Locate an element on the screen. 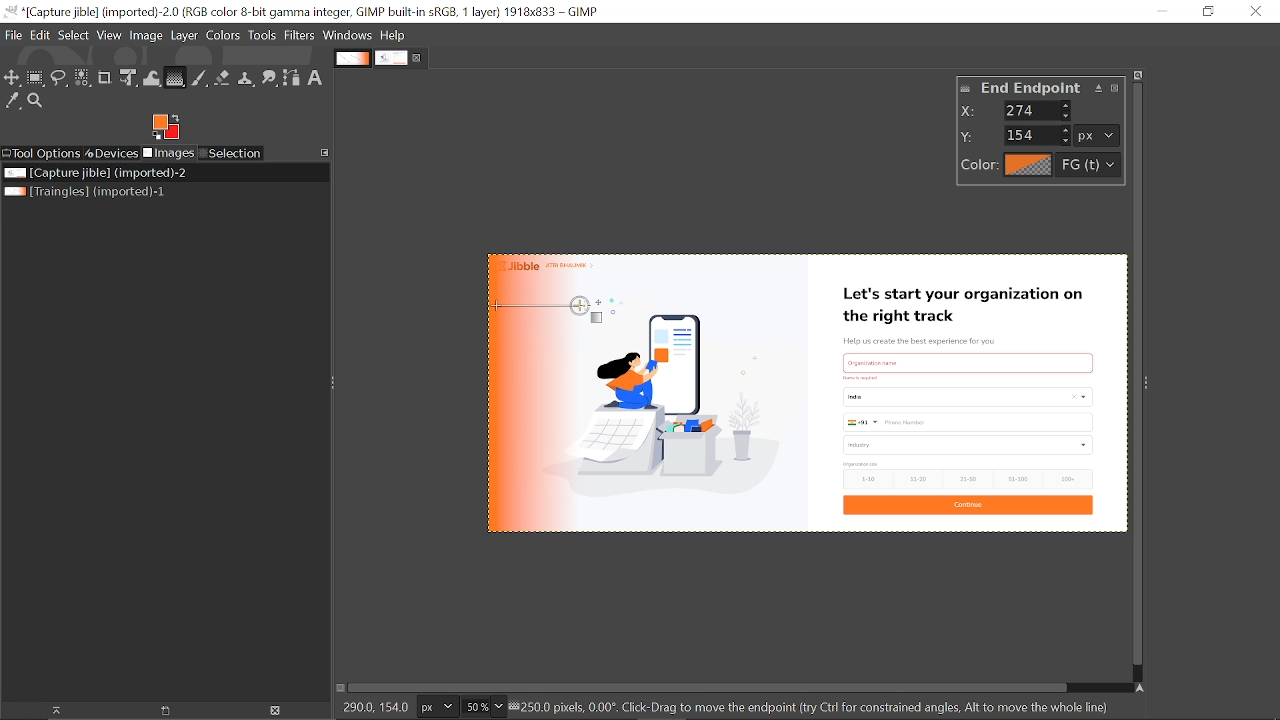 The image size is (1280, 720). color is located at coordinates (1036, 166).